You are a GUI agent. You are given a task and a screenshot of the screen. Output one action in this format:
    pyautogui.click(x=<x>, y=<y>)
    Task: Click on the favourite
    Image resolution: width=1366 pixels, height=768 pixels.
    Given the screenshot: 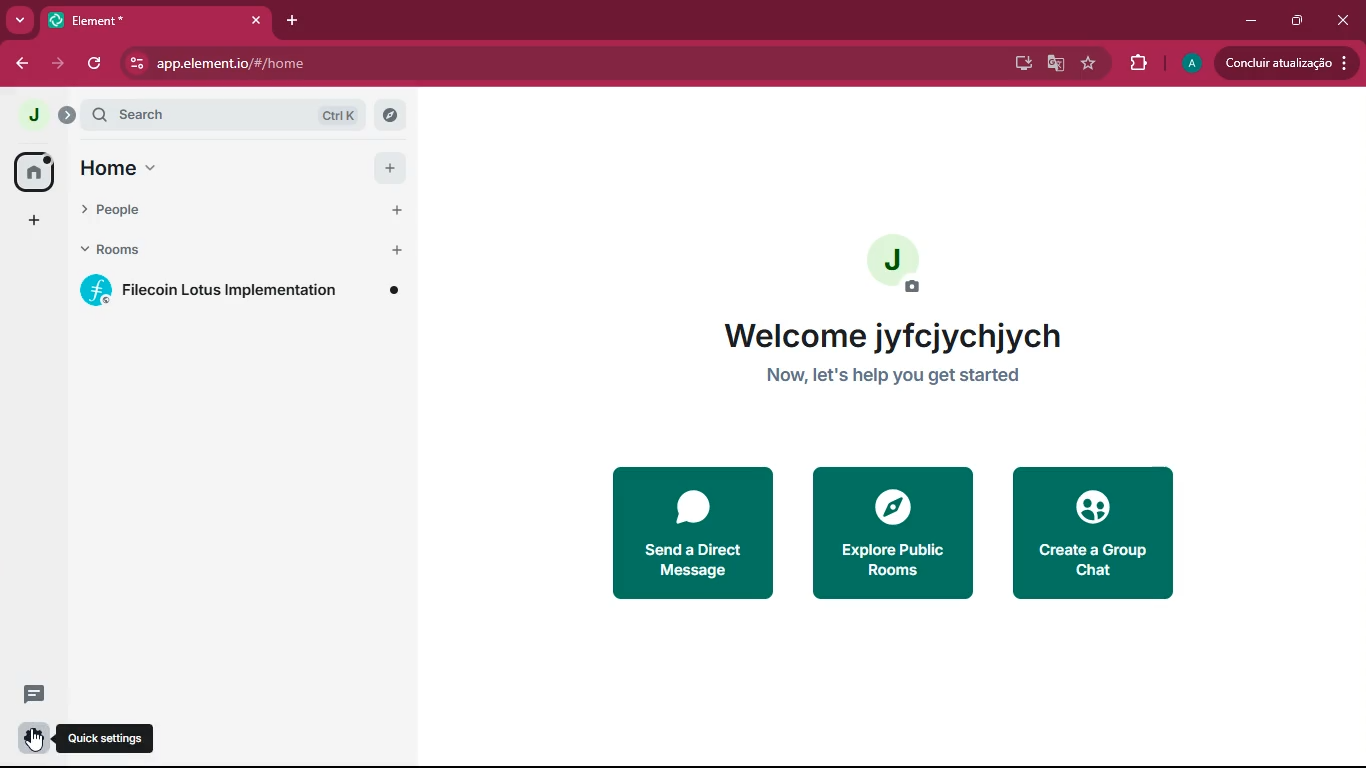 What is the action you would take?
    pyautogui.click(x=1091, y=64)
    